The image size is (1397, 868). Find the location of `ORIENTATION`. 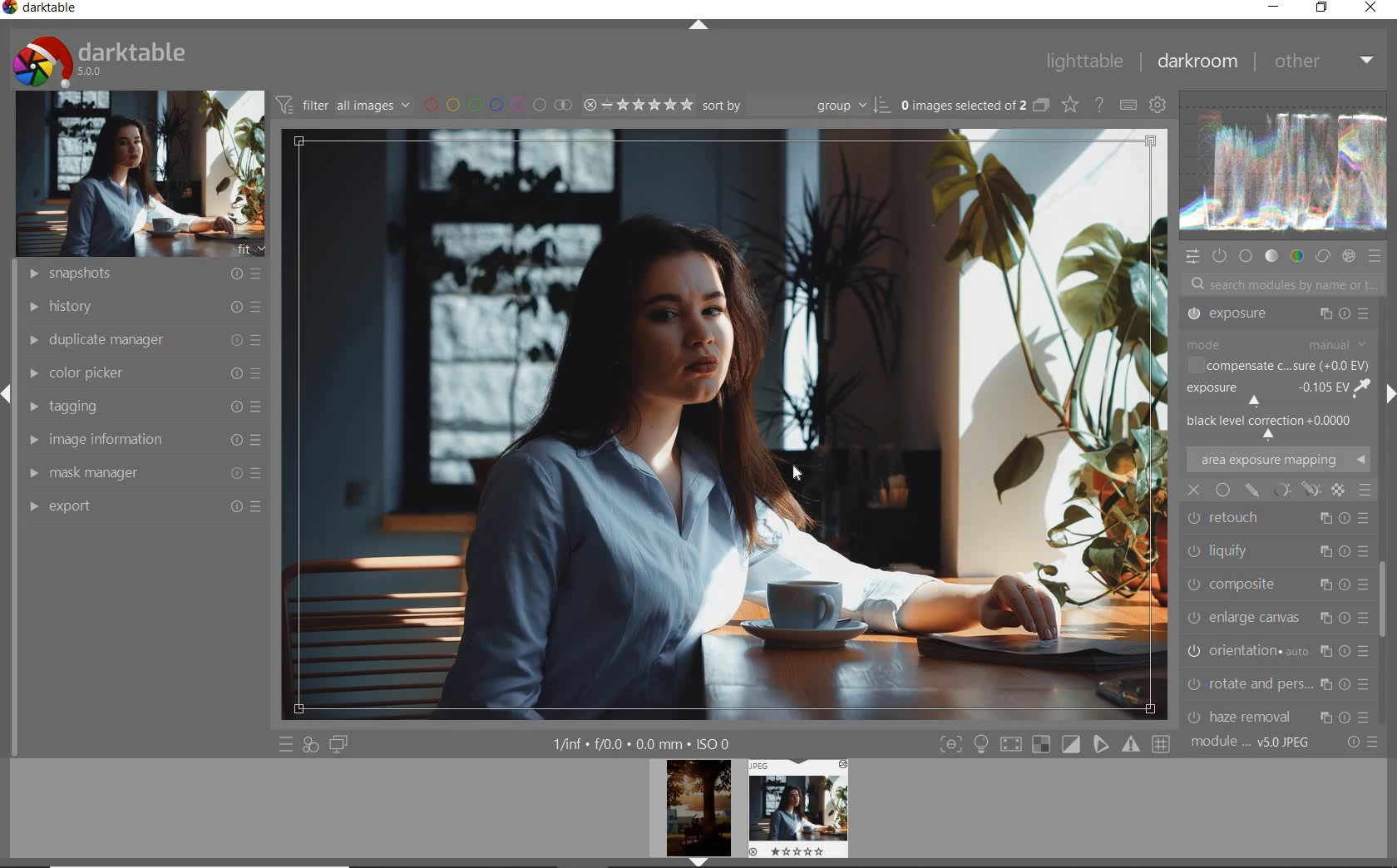

ORIENTATION is located at coordinates (1281, 547).